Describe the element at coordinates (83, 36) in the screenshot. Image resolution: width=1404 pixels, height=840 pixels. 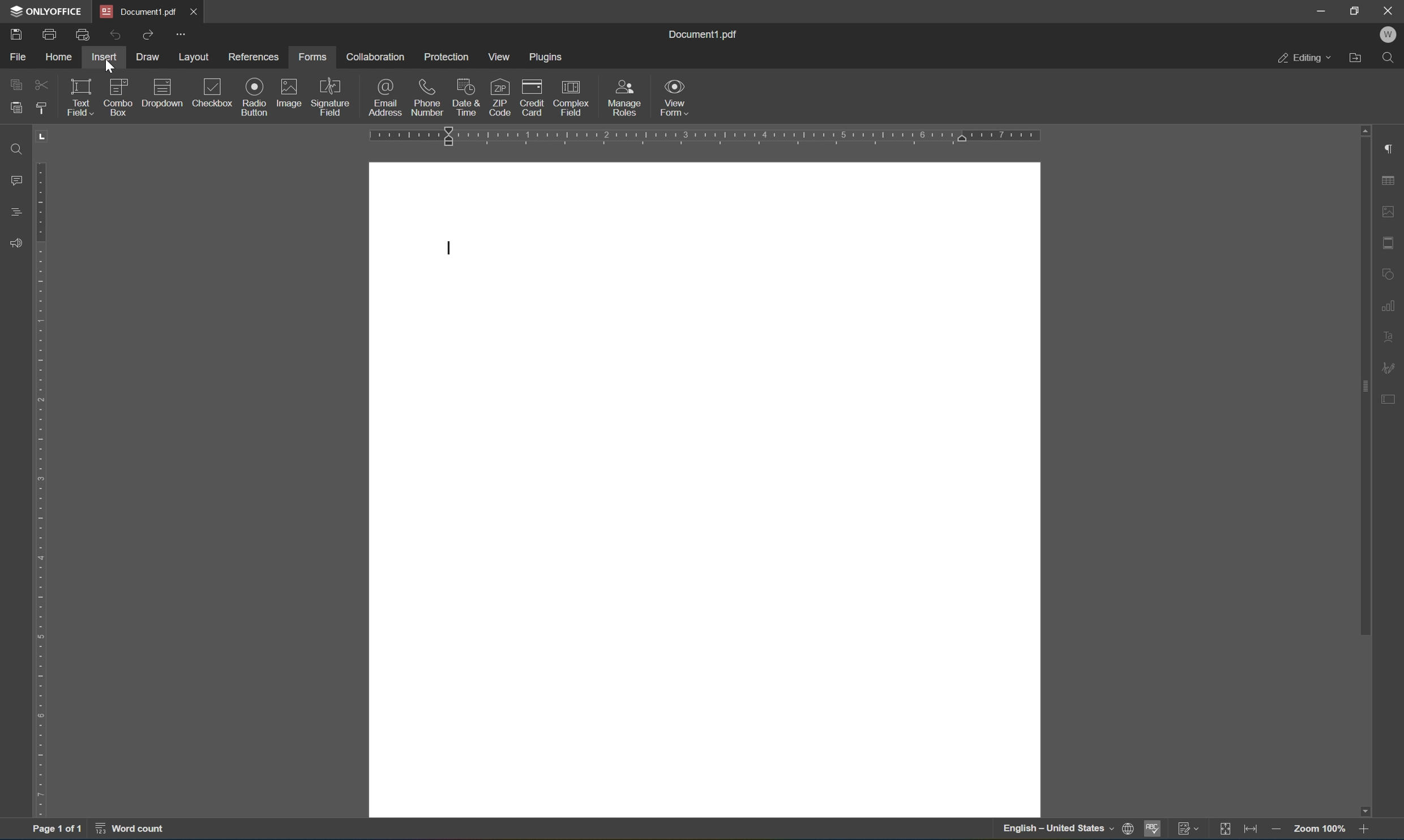
I see `quick print` at that location.